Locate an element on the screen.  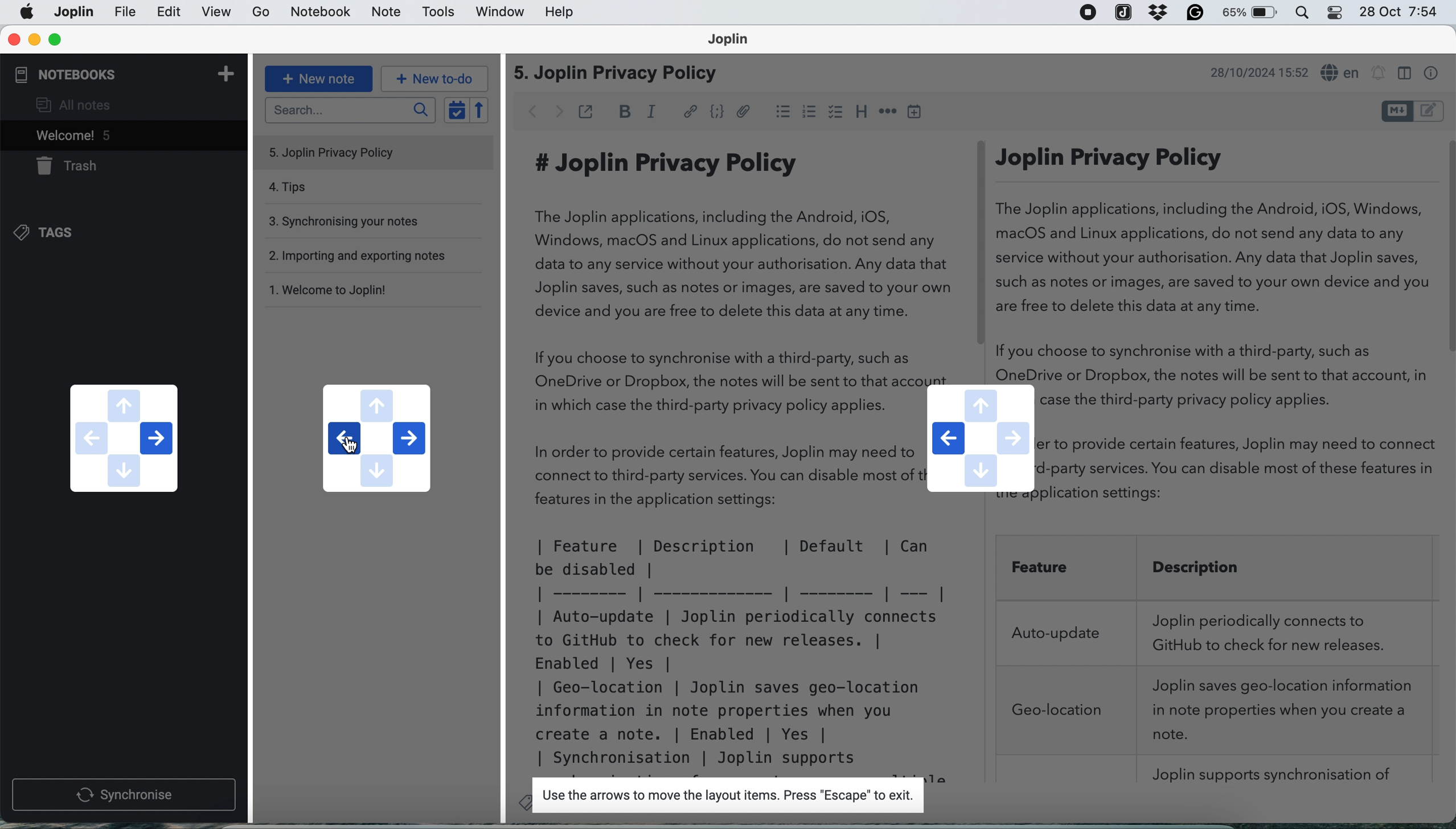
28 Oct 7:54 is located at coordinates (1398, 13).